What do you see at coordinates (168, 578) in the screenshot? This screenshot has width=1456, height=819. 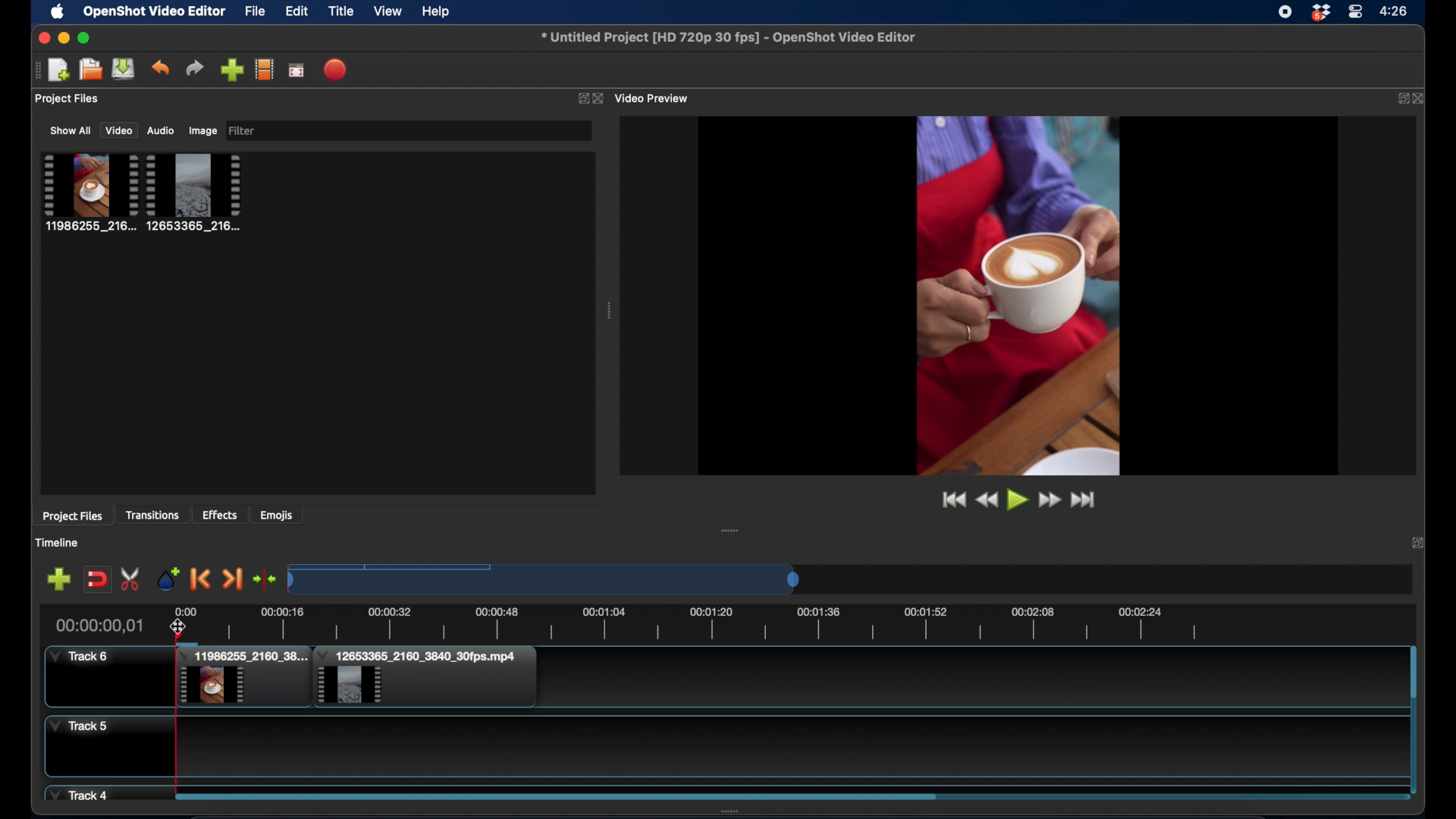 I see `add marker` at bounding box center [168, 578].